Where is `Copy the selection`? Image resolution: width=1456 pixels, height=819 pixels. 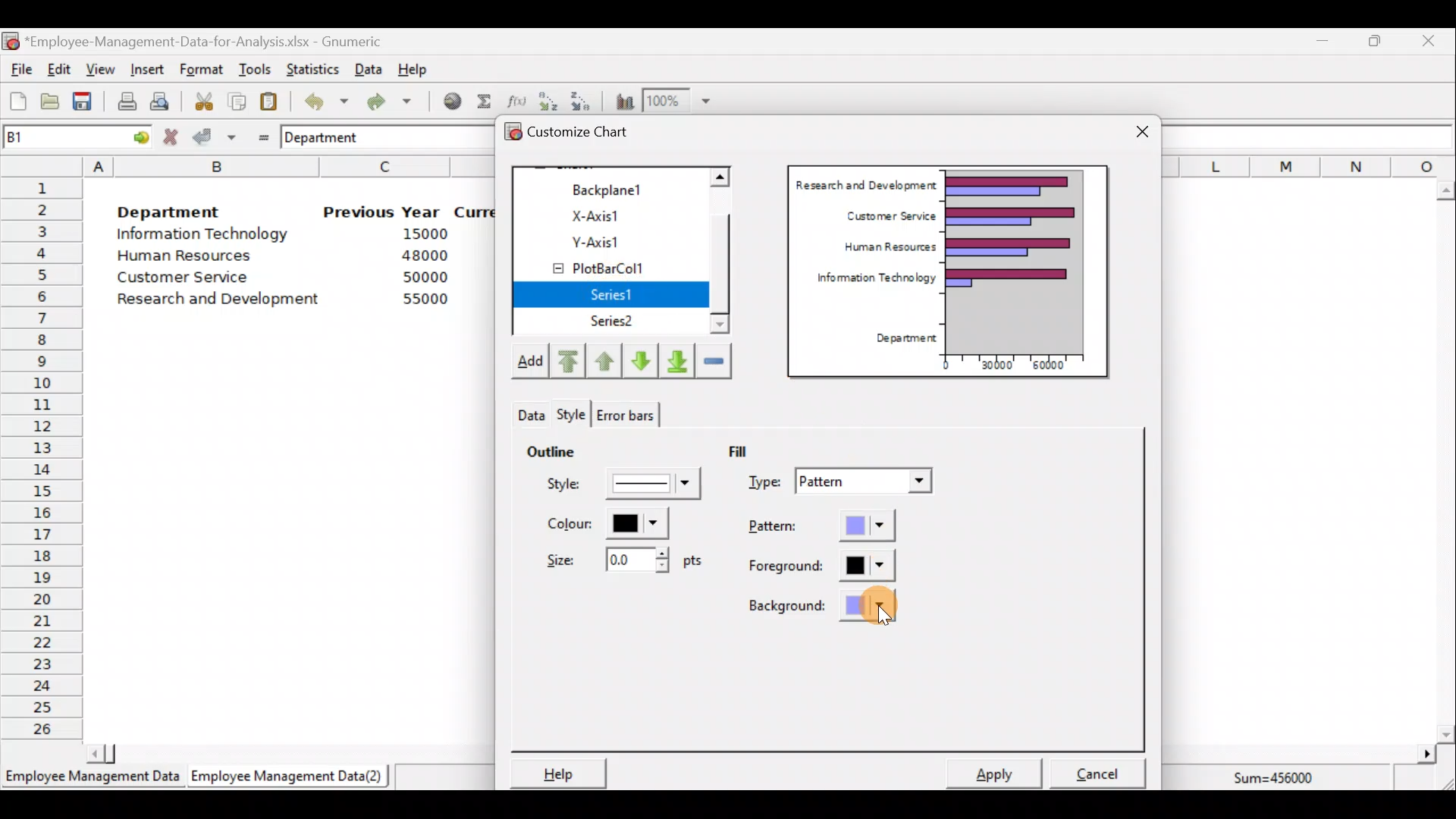
Copy the selection is located at coordinates (236, 99).